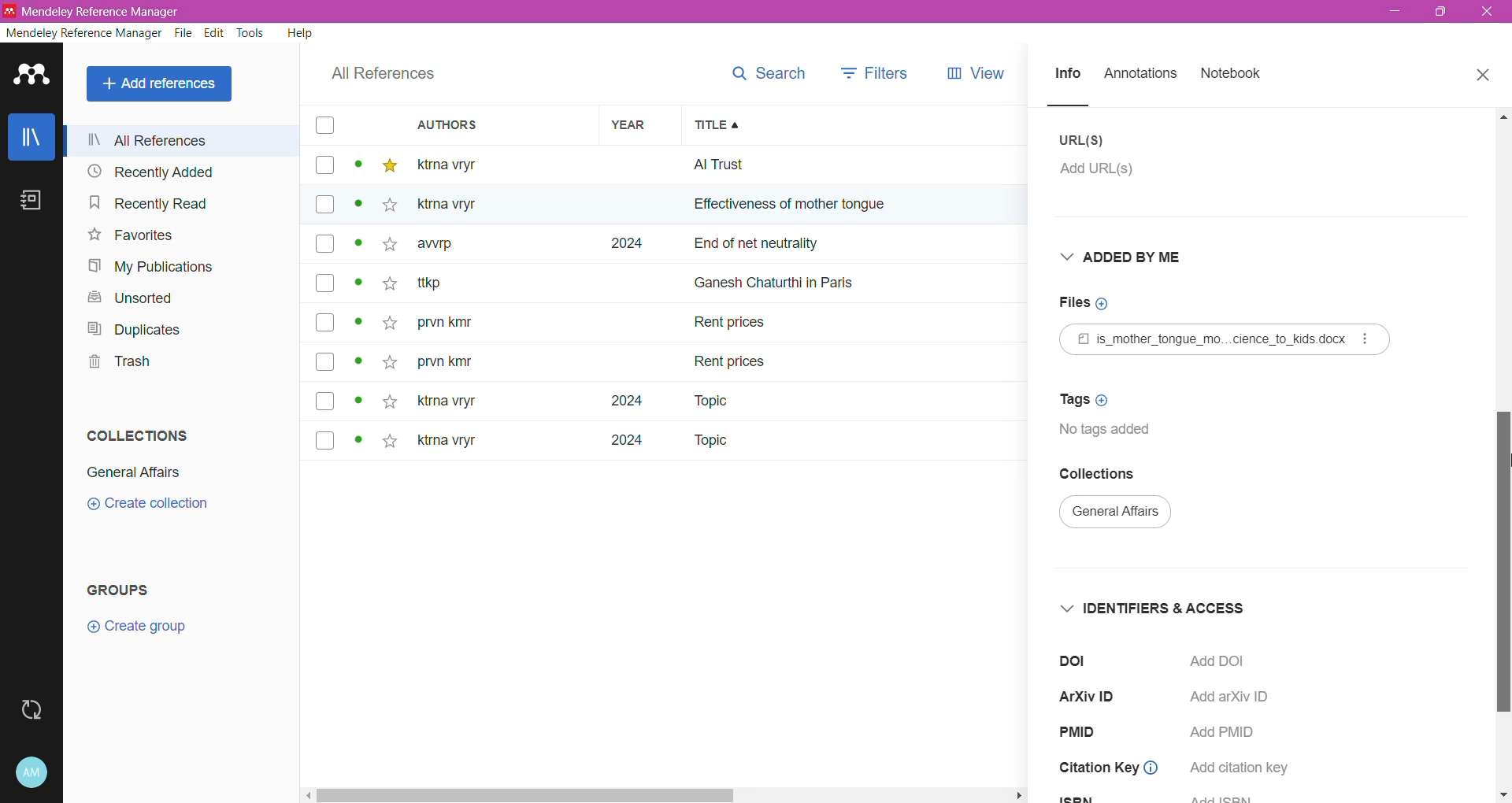 The height and width of the screenshot is (803, 1512). Describe the element at coordinates (1487, 12) in the screenshot. I see `Close` at that location.